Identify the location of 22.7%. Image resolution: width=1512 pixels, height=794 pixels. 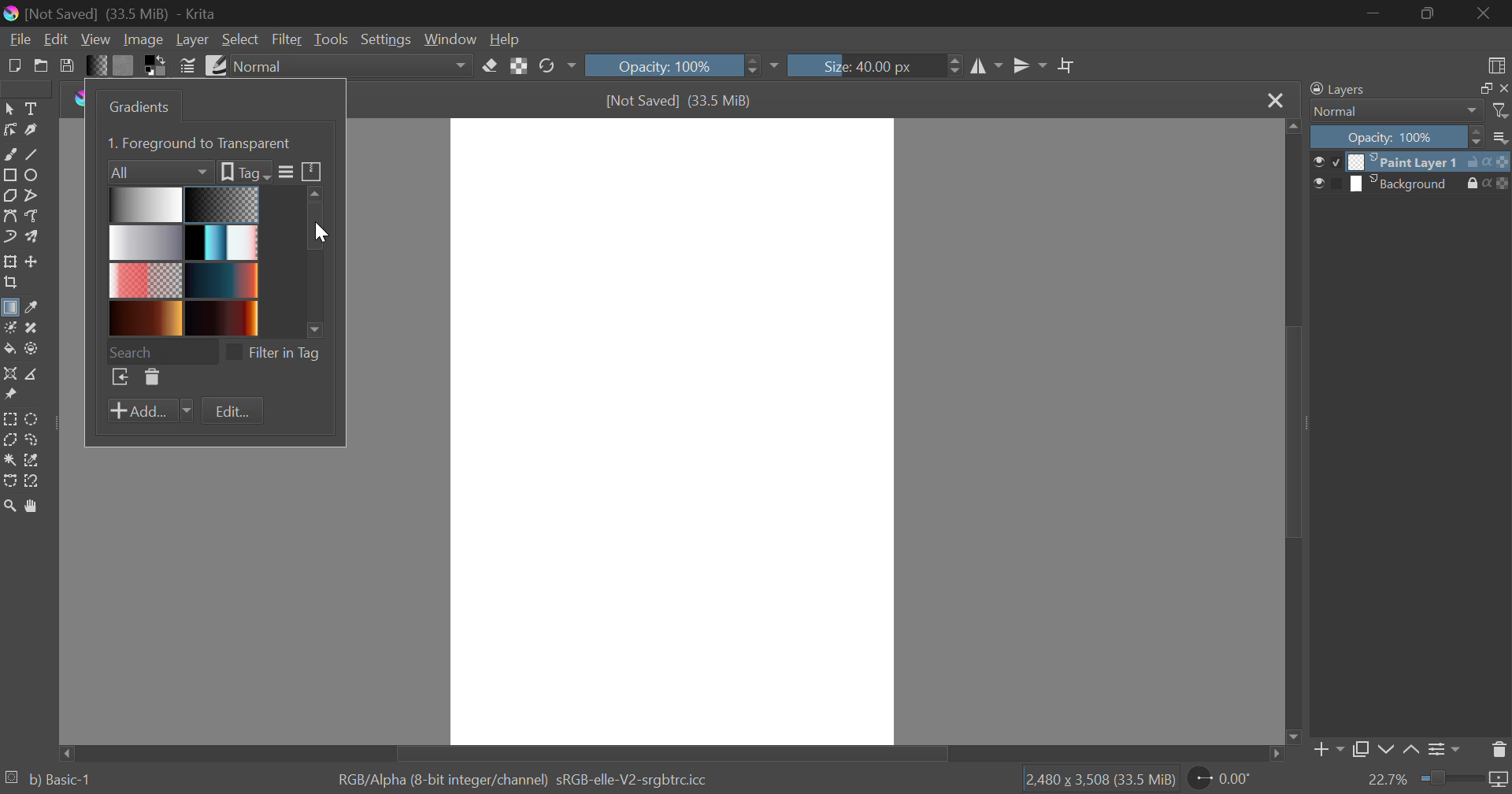
(1437, 781).